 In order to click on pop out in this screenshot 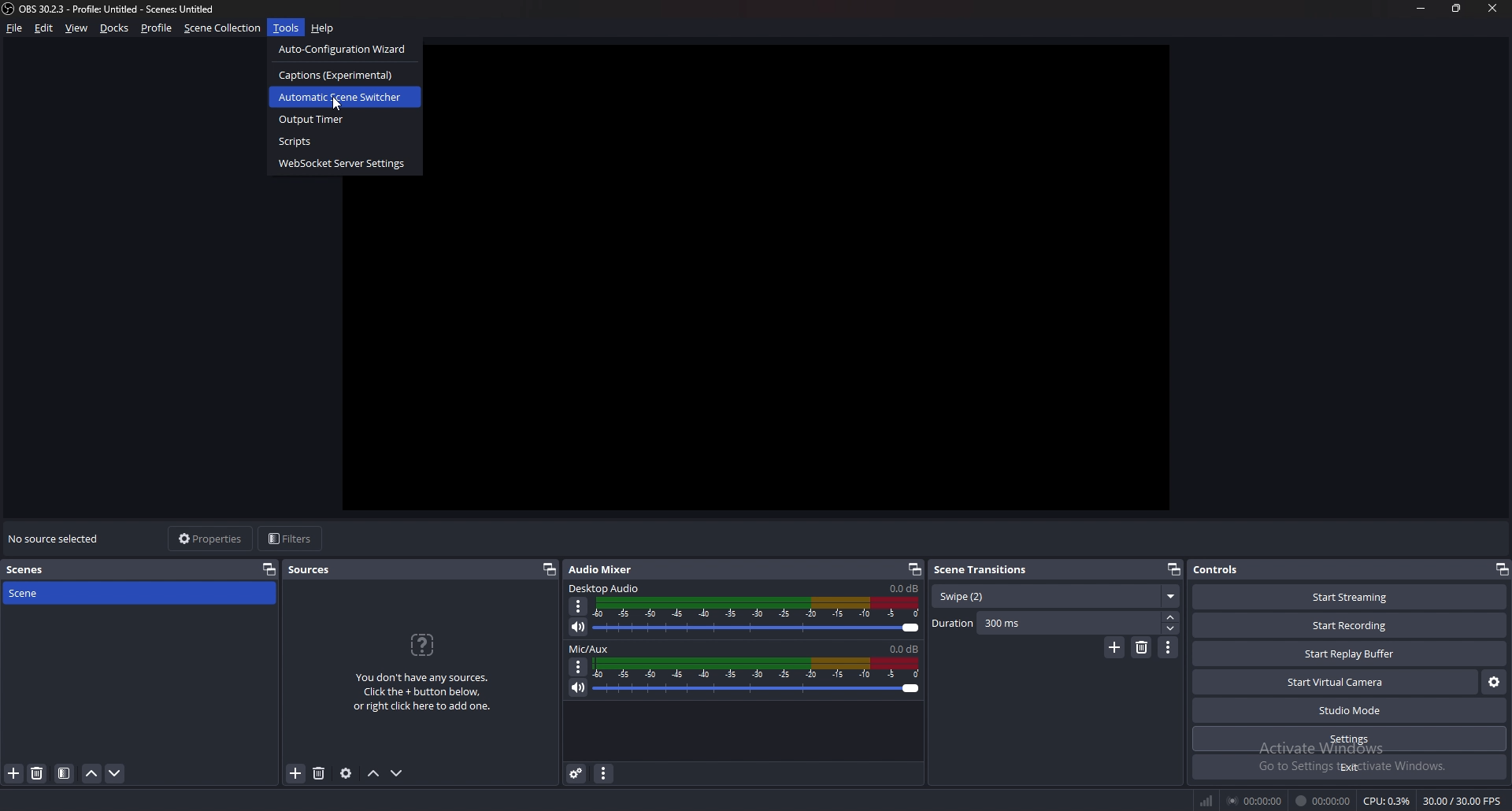, I will do `click(1173, 570)`.